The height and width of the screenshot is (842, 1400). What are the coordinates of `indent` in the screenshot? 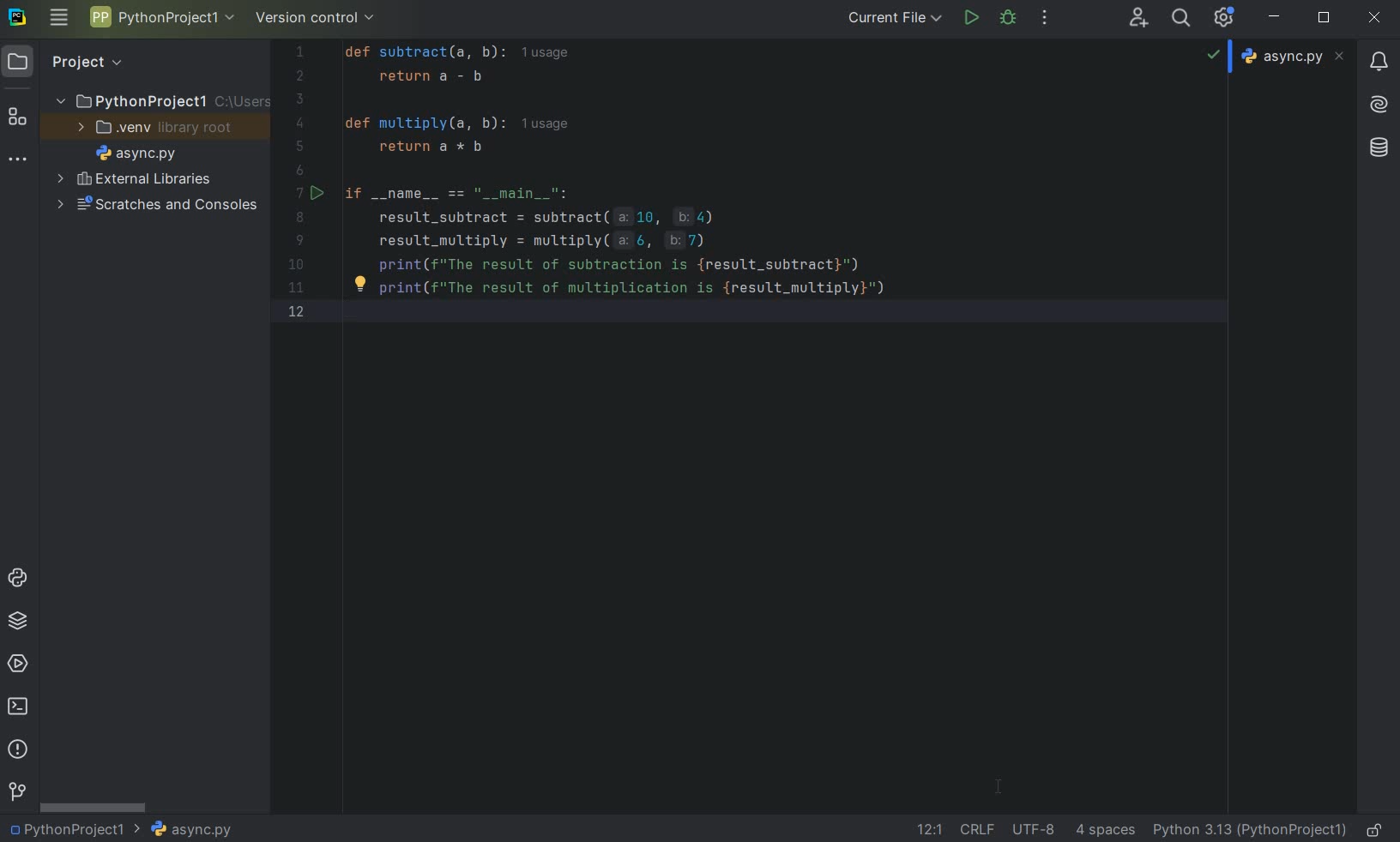 It's located at (1105, 830).